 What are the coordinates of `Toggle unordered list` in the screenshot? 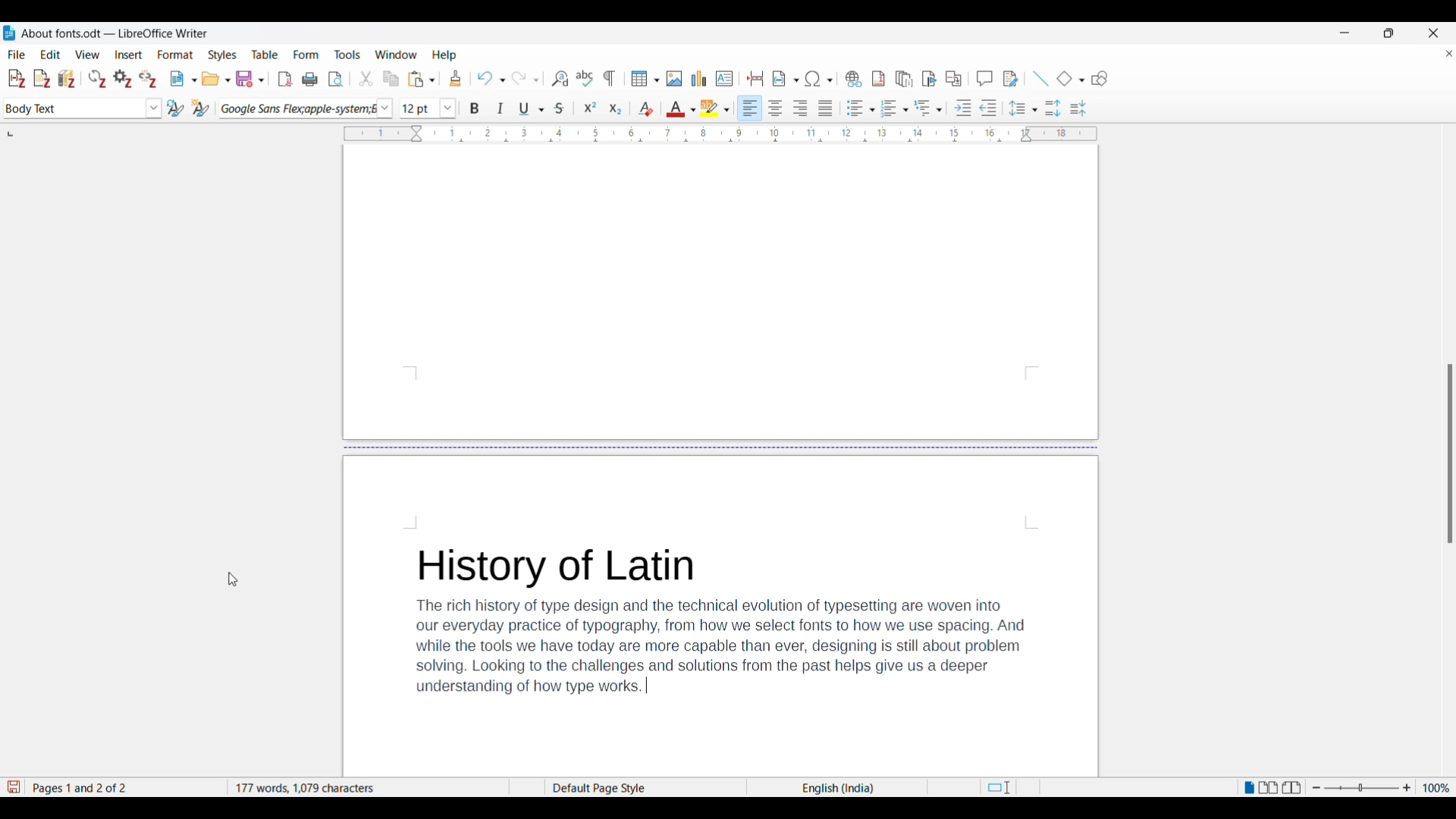 It's located at (861, 108).